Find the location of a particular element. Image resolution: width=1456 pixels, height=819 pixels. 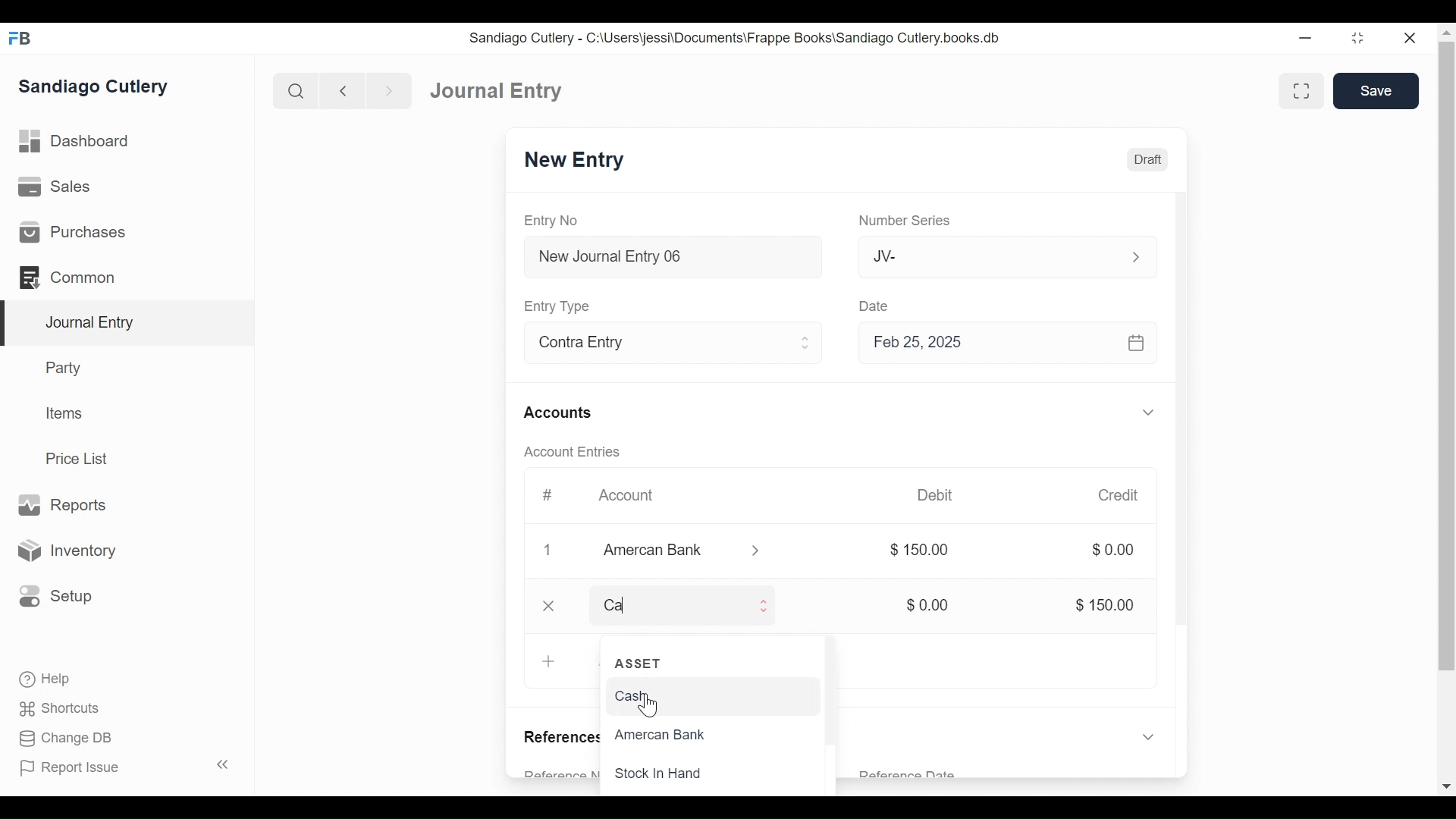

# is located at coordinates (549, 494).